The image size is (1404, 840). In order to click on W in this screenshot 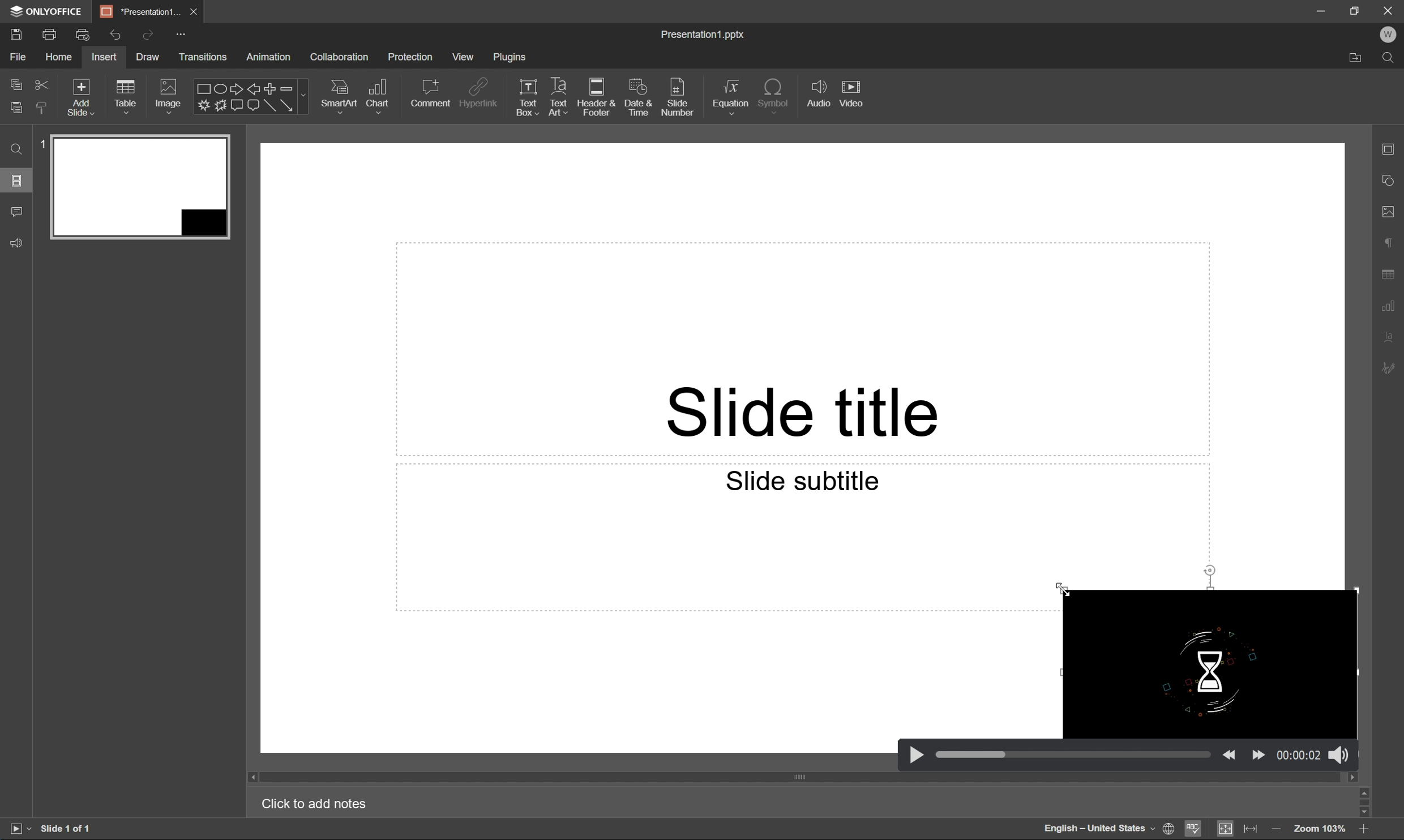, I will do `click(1390, 35)`.